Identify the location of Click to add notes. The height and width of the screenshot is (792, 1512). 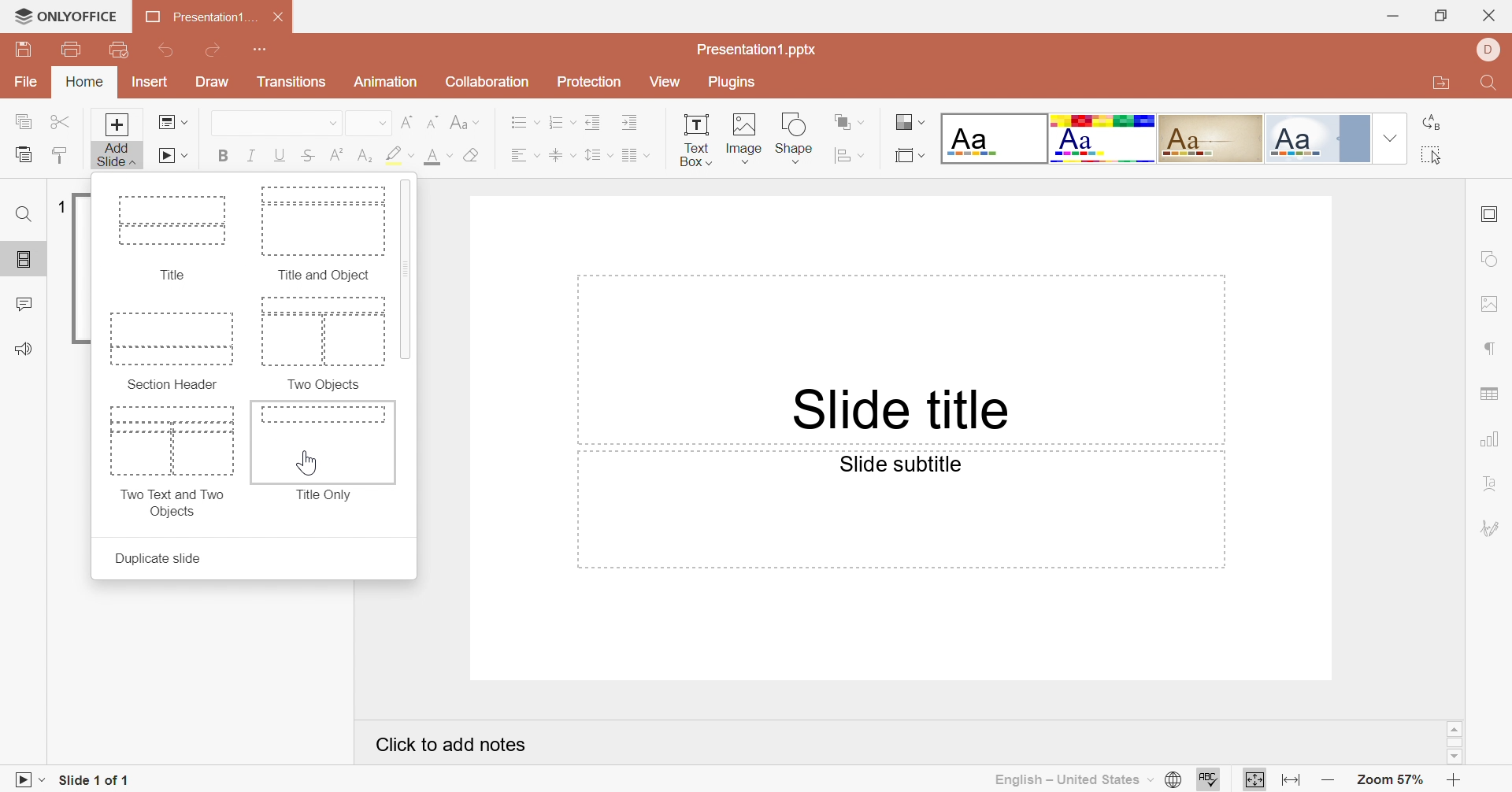
(452, 745).